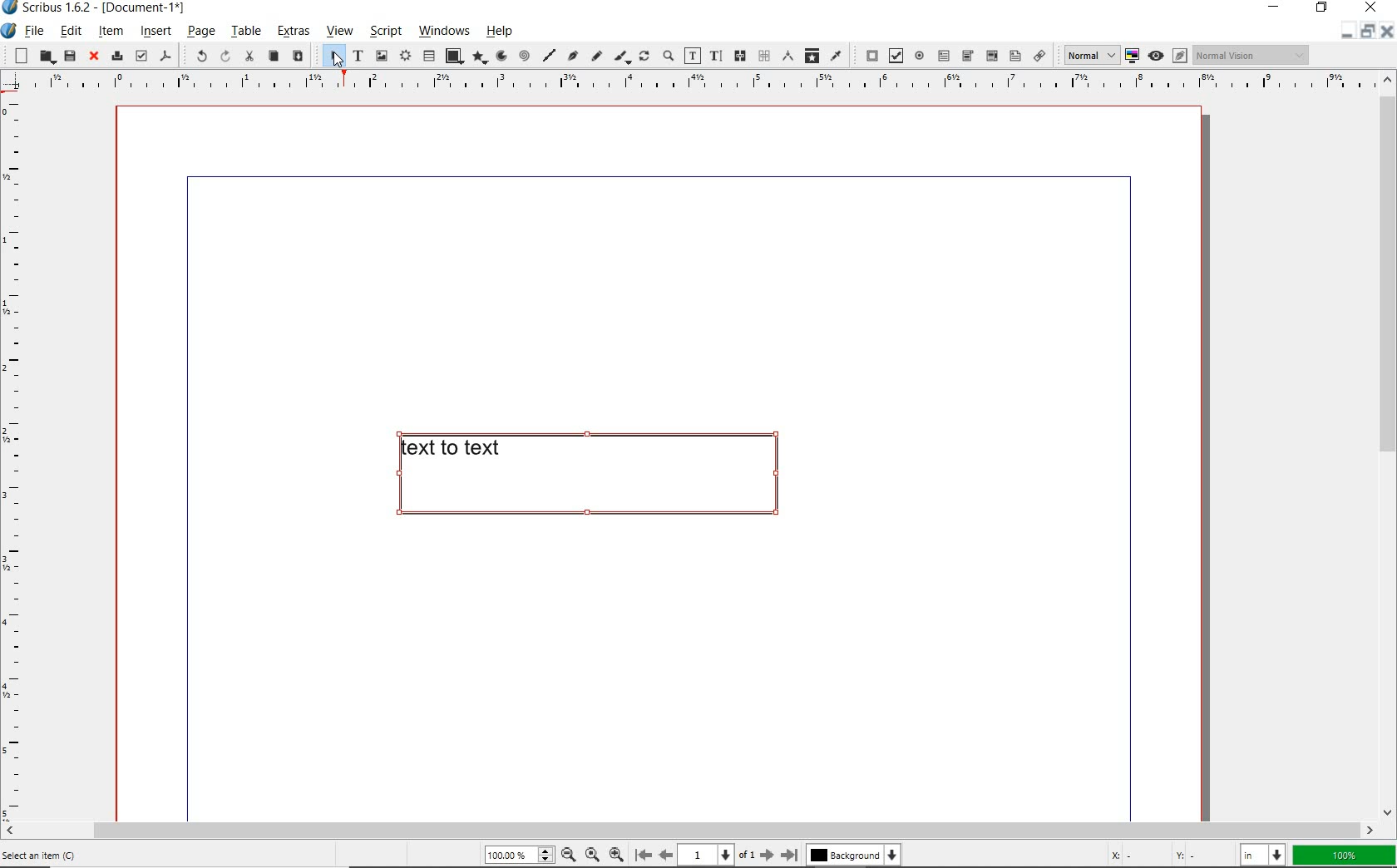  I want to click on Background, so click(855, 856).